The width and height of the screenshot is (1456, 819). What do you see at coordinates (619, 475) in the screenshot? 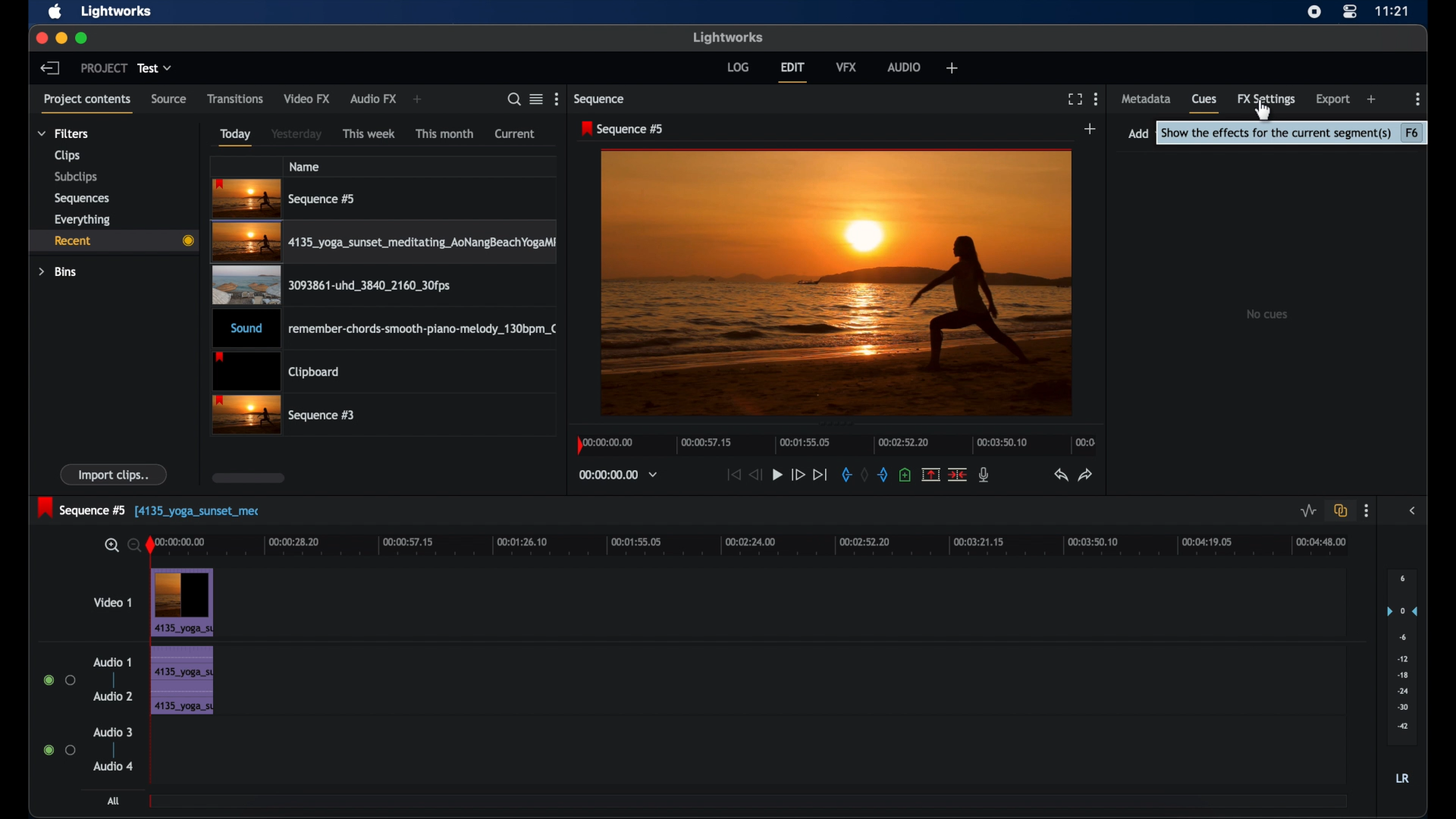
I see `timecodesand reels` at bounding box center [619, 475].